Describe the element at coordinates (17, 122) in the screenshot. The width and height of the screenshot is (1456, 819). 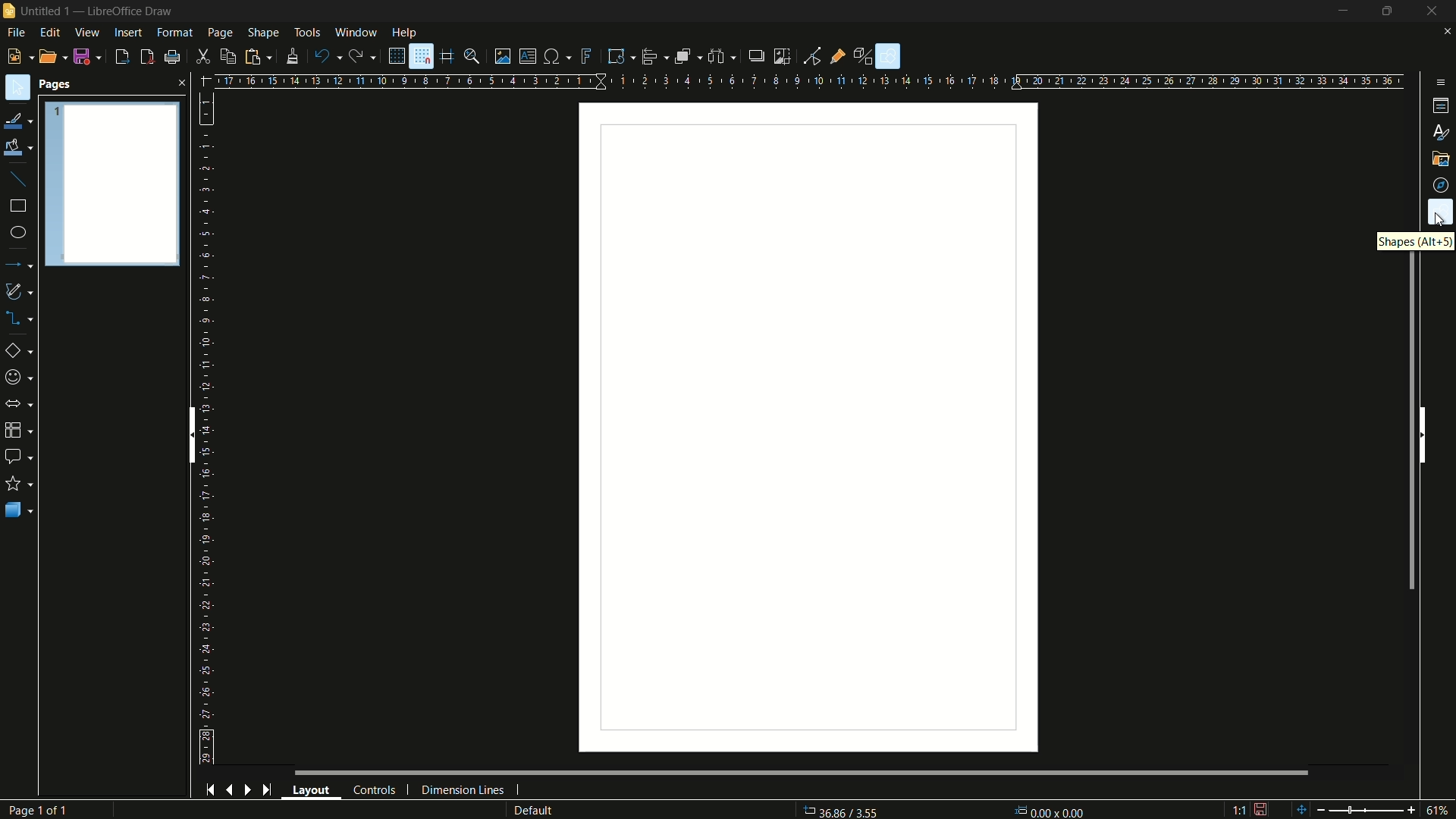
I see `line color` at that location.